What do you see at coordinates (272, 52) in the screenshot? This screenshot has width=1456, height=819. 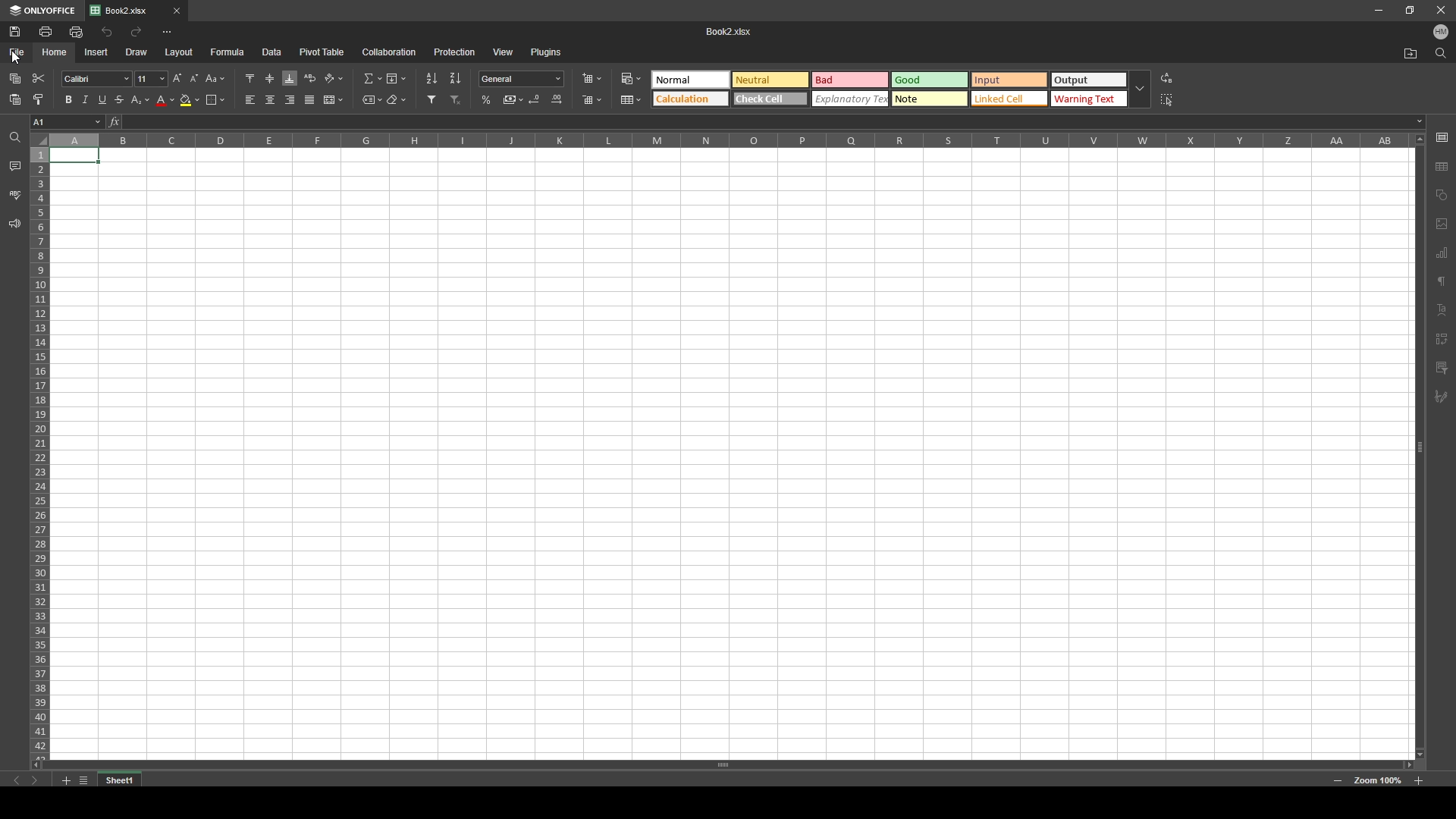 I see `data` at bounding box center [272, 52].